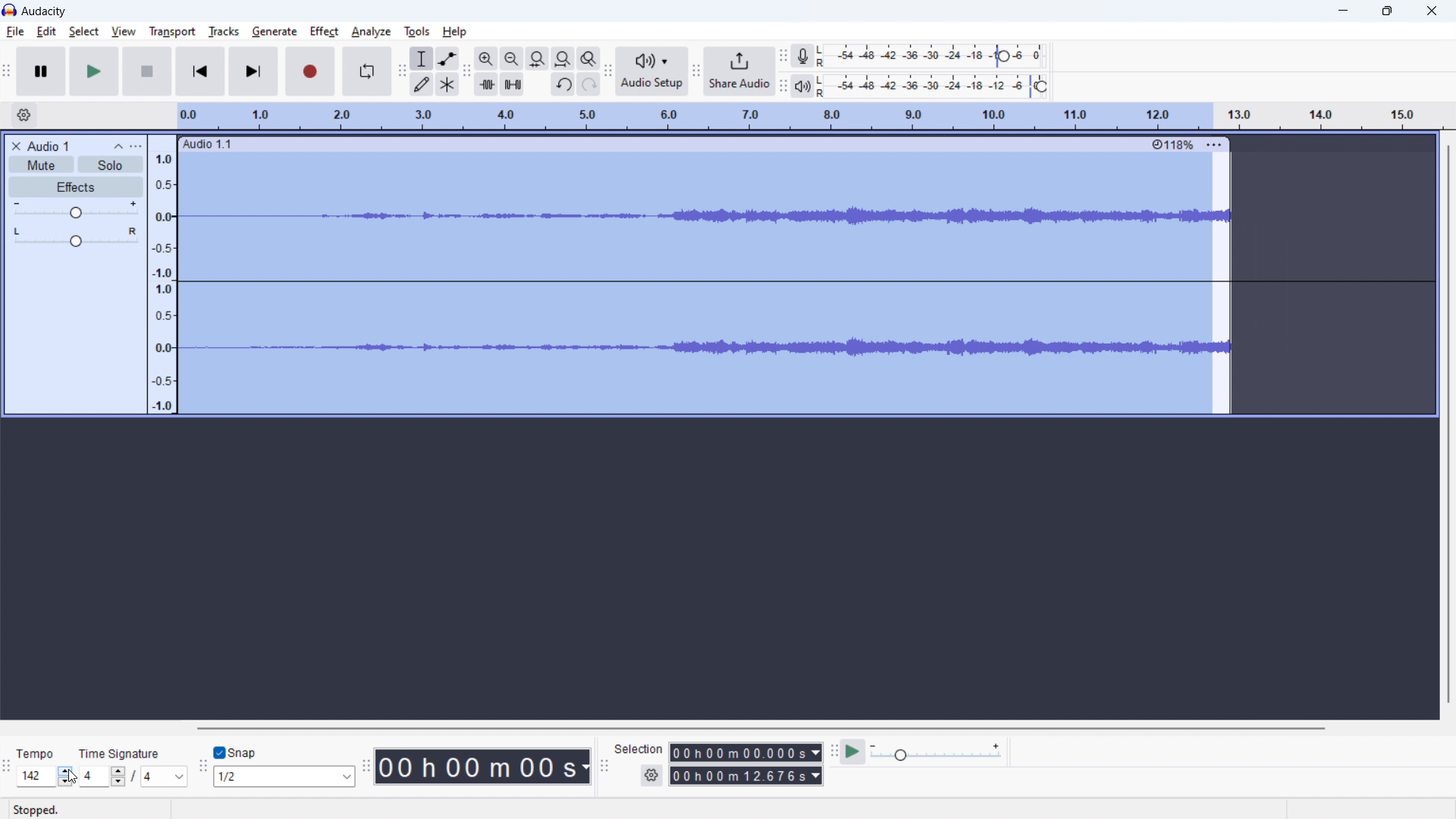 This screenshot has width=1456, height=819. Describe the element at coordinates (402, 72) in the screenshot. I see `tools toolbar` at that location.